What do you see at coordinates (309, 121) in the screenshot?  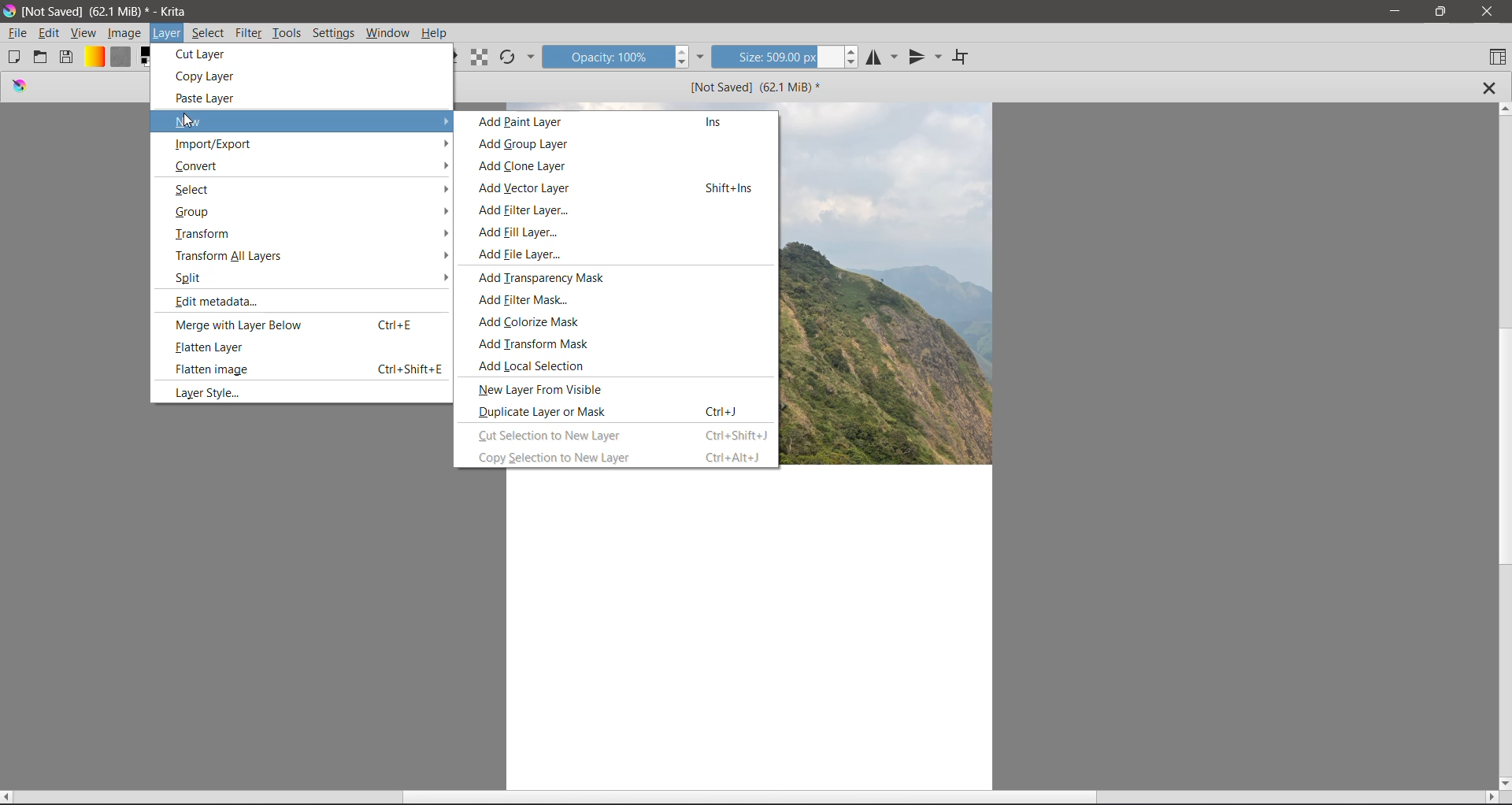 I see `New` at bounding box center [309, 121].